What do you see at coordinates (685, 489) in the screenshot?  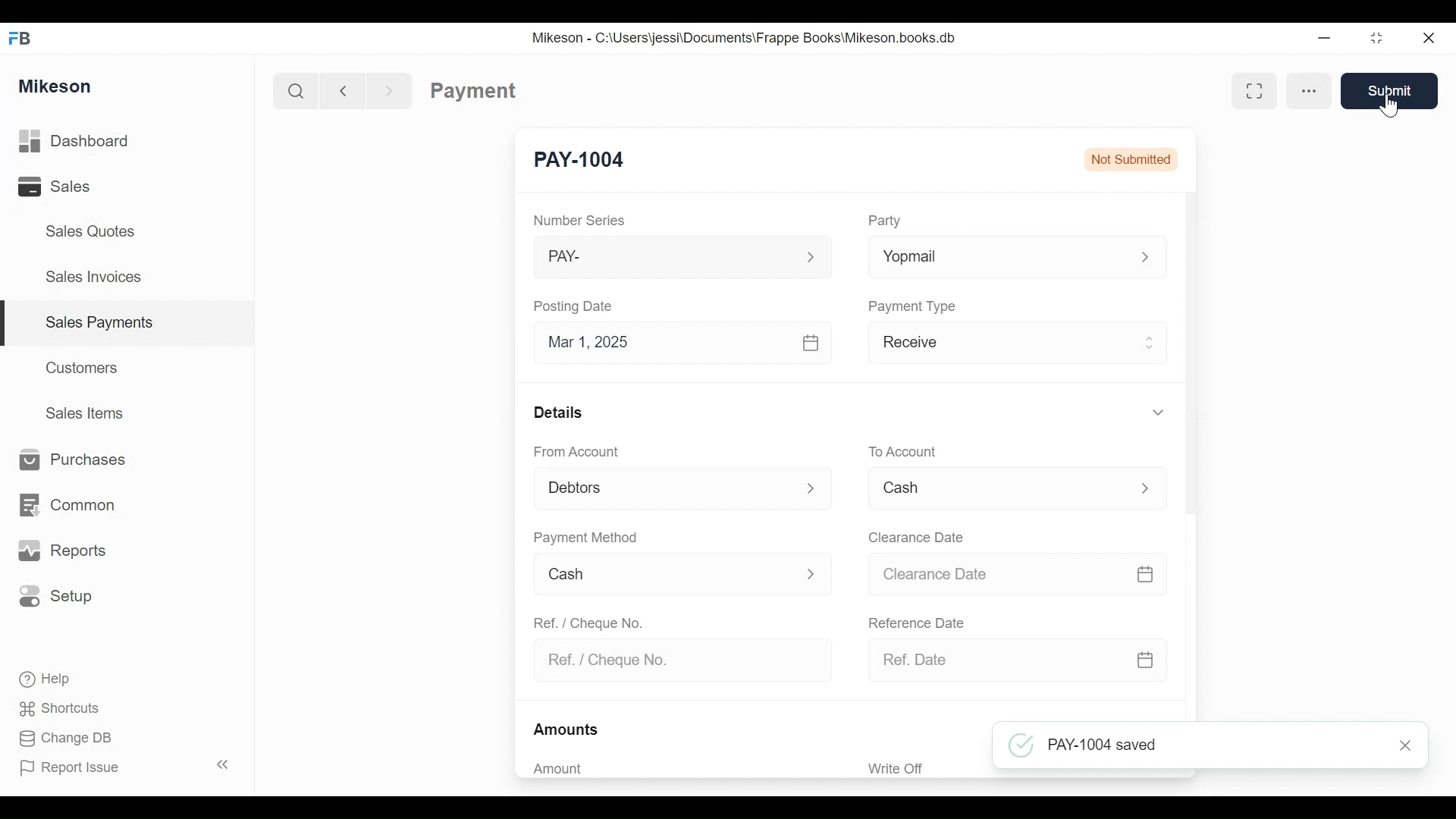 I see `From Account` at bounding box center [685, 489].